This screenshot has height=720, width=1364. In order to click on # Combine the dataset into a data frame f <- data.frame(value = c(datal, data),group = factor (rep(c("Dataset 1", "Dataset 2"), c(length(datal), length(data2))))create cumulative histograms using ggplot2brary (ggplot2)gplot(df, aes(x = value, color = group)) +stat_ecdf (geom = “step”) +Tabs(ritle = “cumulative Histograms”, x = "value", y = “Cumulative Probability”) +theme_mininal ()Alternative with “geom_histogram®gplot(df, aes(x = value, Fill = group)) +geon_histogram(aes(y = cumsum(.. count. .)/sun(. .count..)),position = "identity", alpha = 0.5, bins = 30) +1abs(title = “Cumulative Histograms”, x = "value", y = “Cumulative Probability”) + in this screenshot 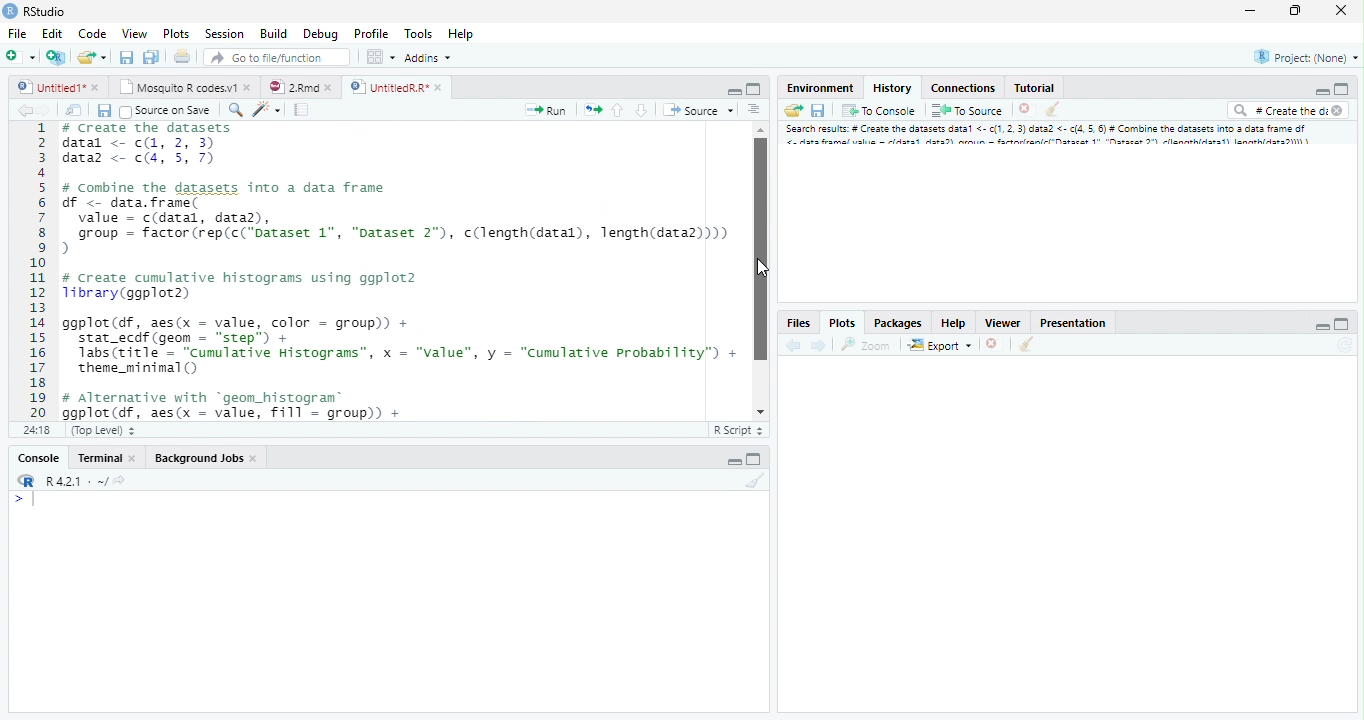, I will do `click(402, 271)`.